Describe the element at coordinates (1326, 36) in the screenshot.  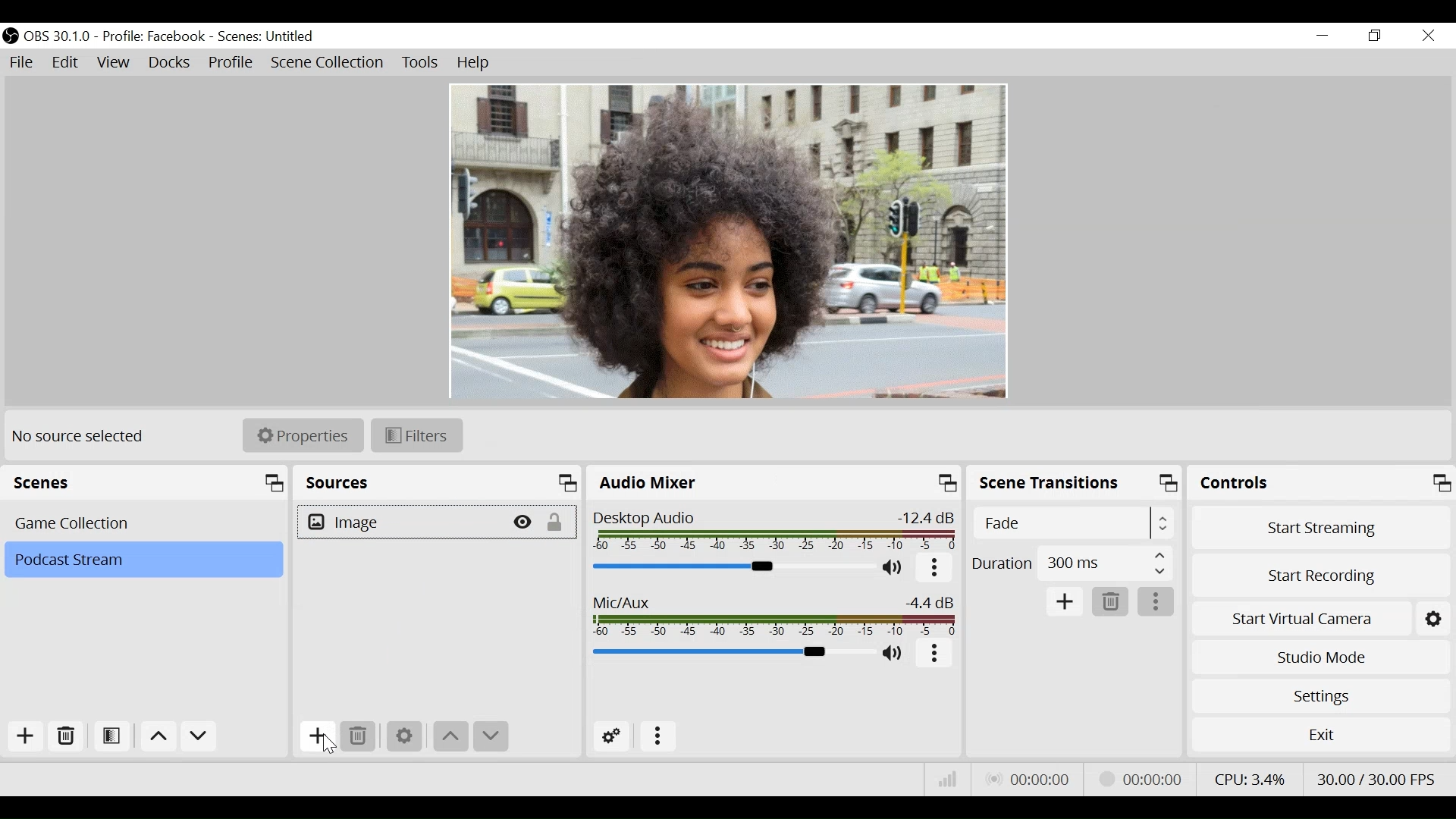
I see `minimize` at that location.